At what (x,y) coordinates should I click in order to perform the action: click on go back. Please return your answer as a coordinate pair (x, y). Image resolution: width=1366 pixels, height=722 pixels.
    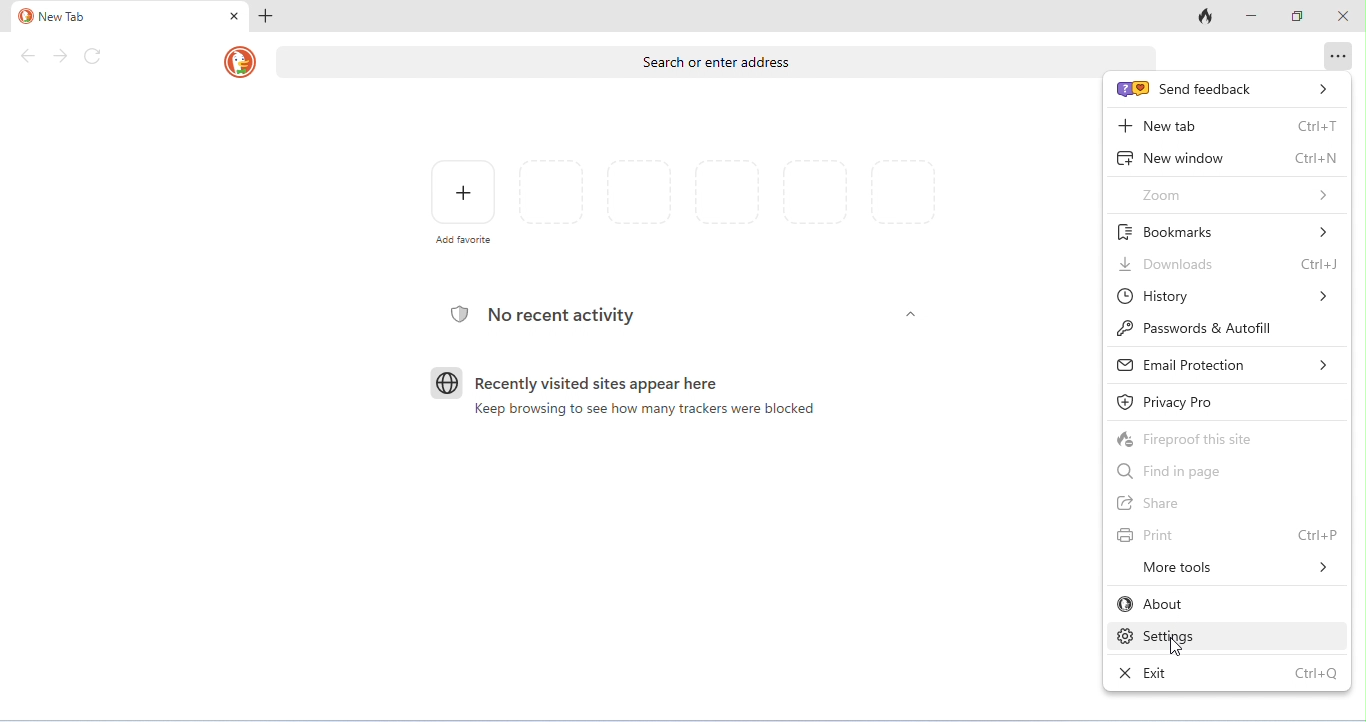
    Looking at the image, I should click on (30, 56).